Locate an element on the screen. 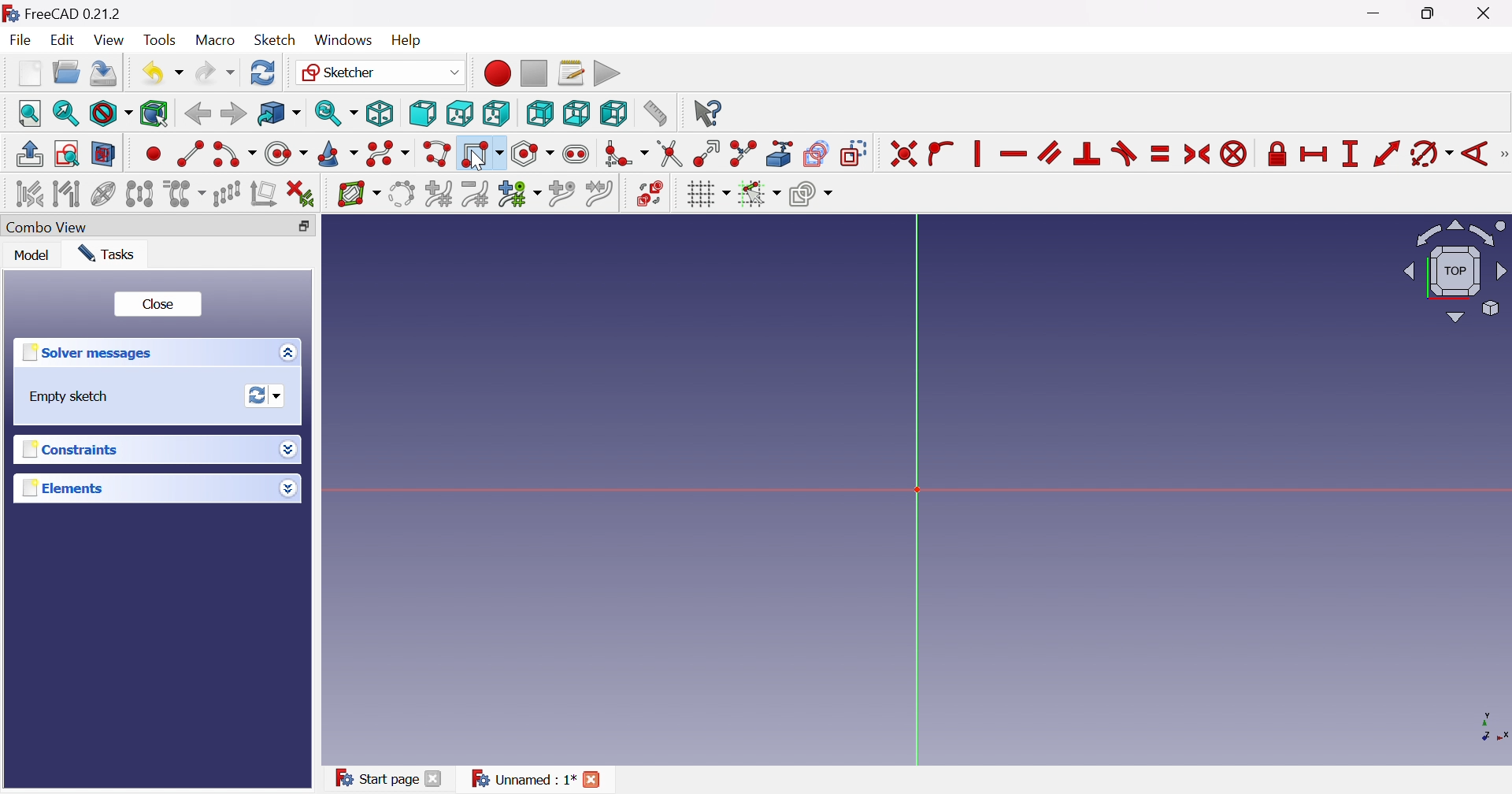 The width and height of the screenshot is (1512, 794). Sketcher is located at coordinates (380, 72).